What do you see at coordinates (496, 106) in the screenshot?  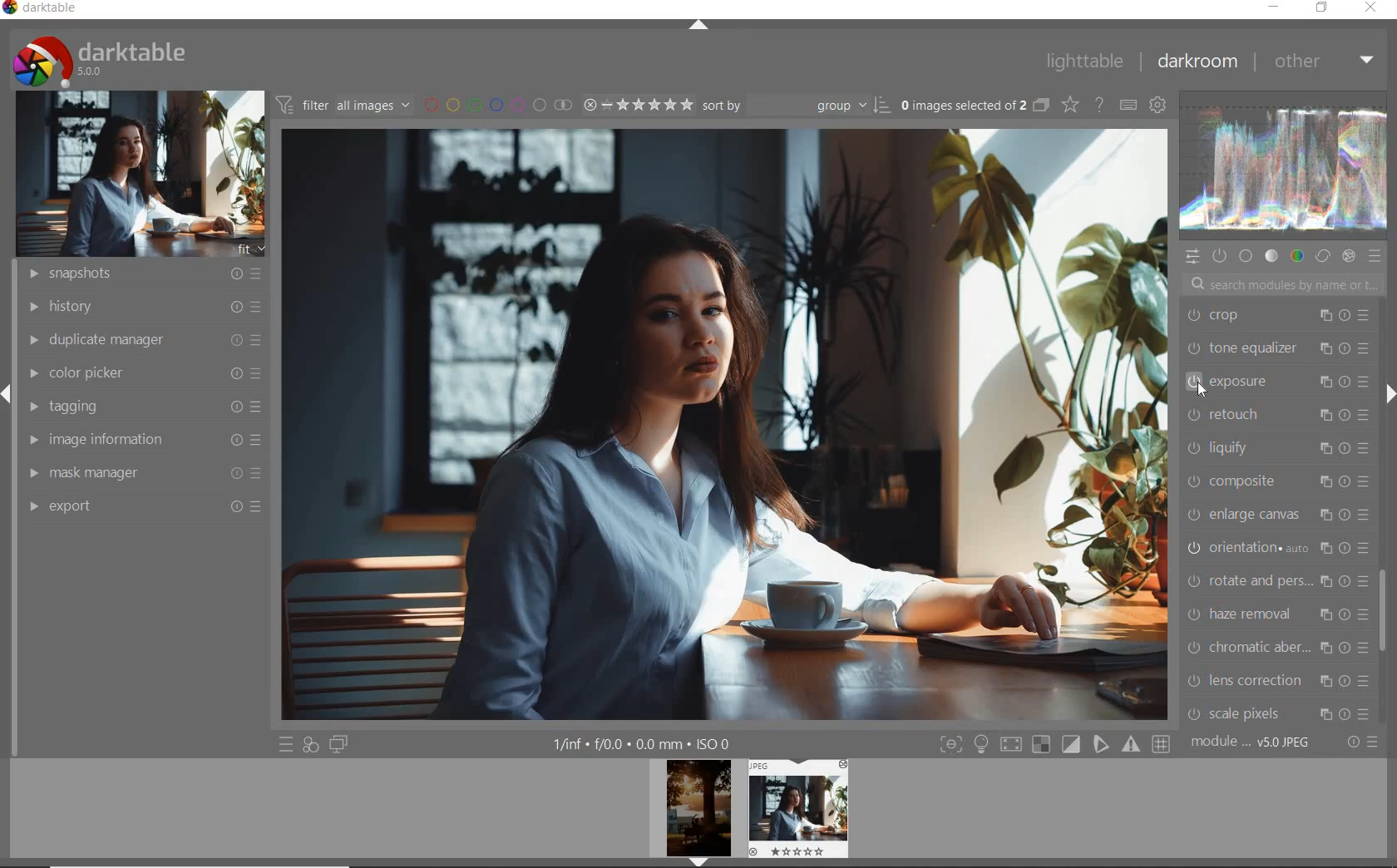 I see `FILTER BY IMAGE COLOR LABEL` at bounding box center [496, 106].